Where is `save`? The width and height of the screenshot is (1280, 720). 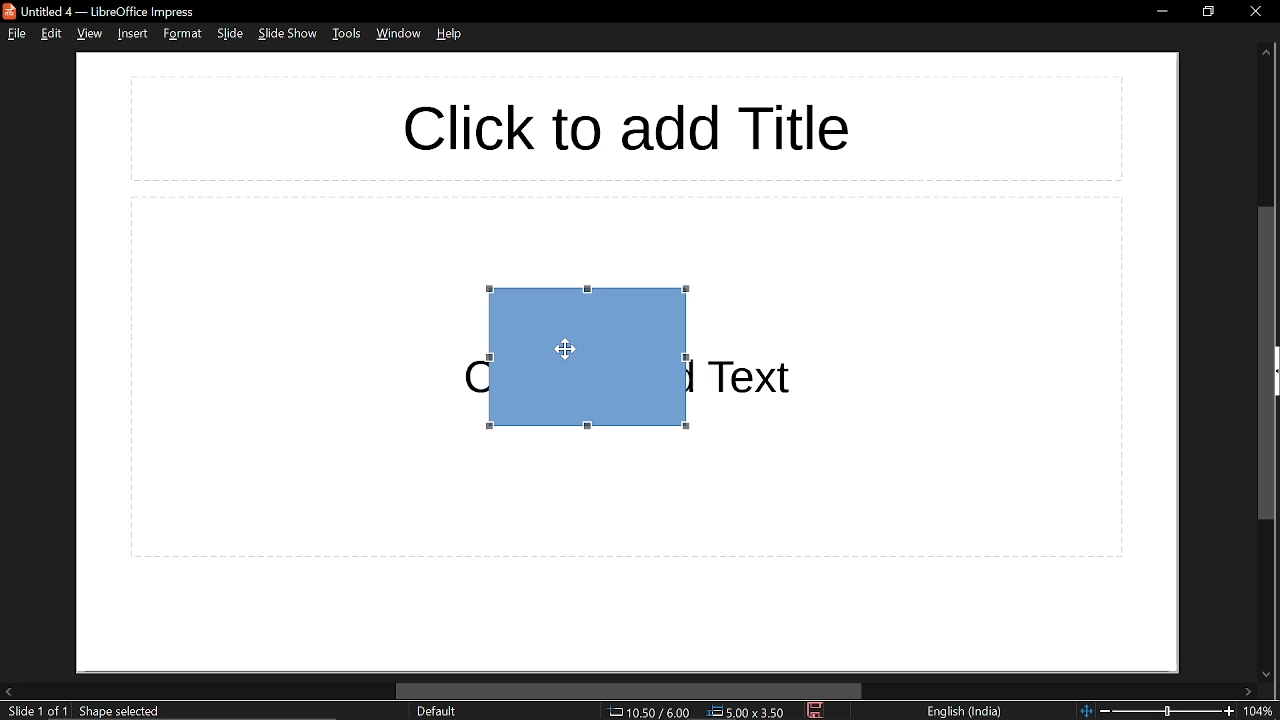 save is located at coordinates (815, 710).